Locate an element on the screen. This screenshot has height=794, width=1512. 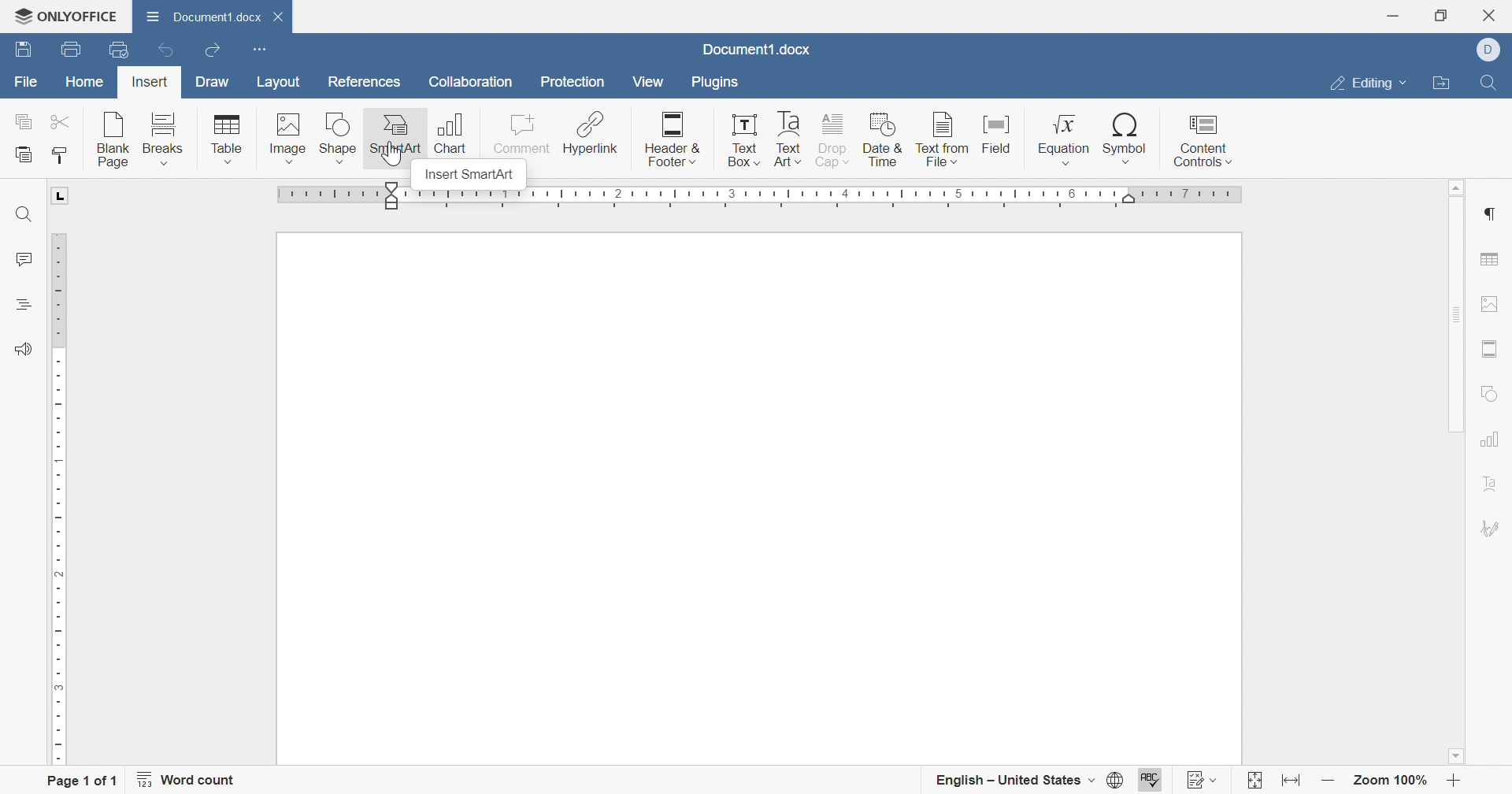
Editing is located at coordinates (1366, 84).